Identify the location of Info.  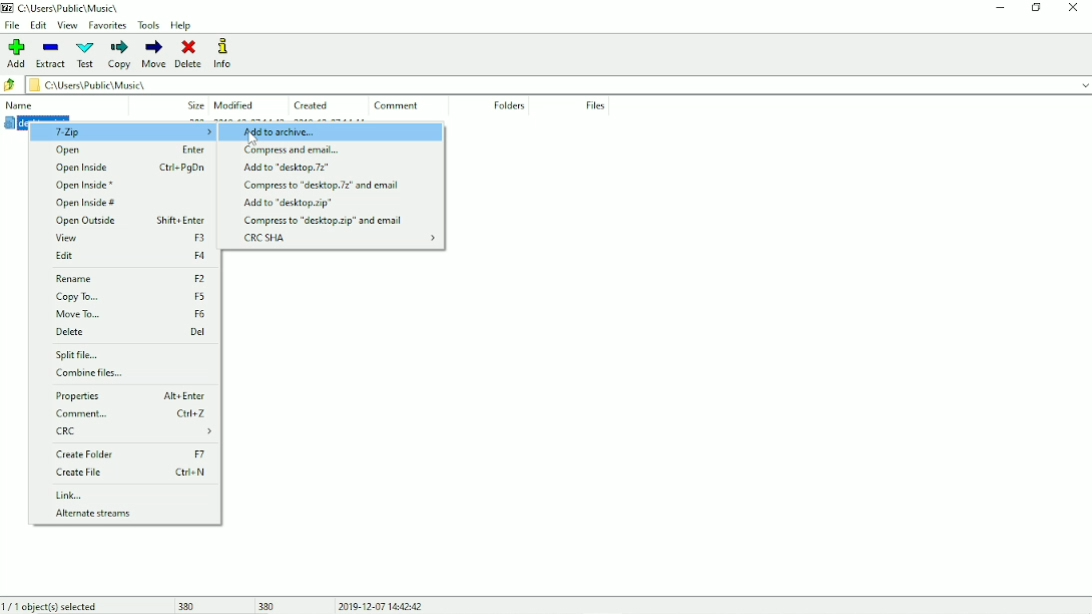
(223, 53).